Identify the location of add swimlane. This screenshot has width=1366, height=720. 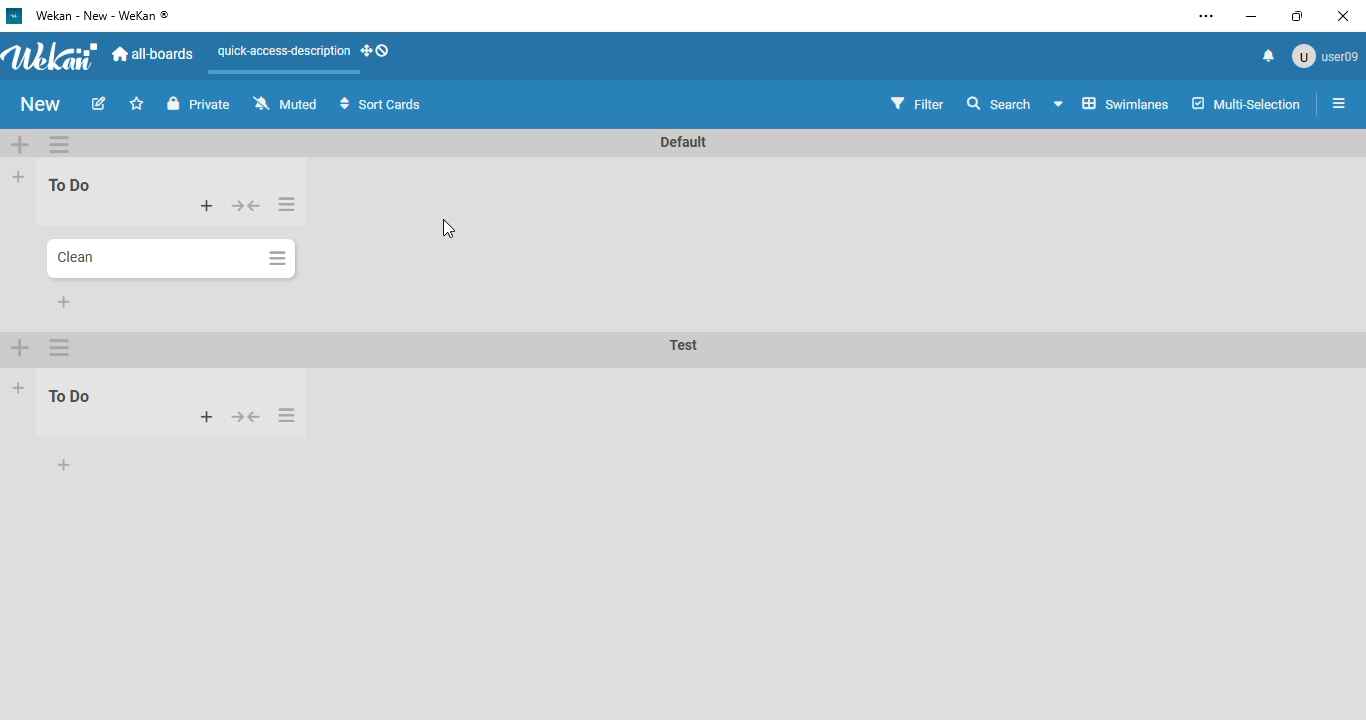
(20, 349).